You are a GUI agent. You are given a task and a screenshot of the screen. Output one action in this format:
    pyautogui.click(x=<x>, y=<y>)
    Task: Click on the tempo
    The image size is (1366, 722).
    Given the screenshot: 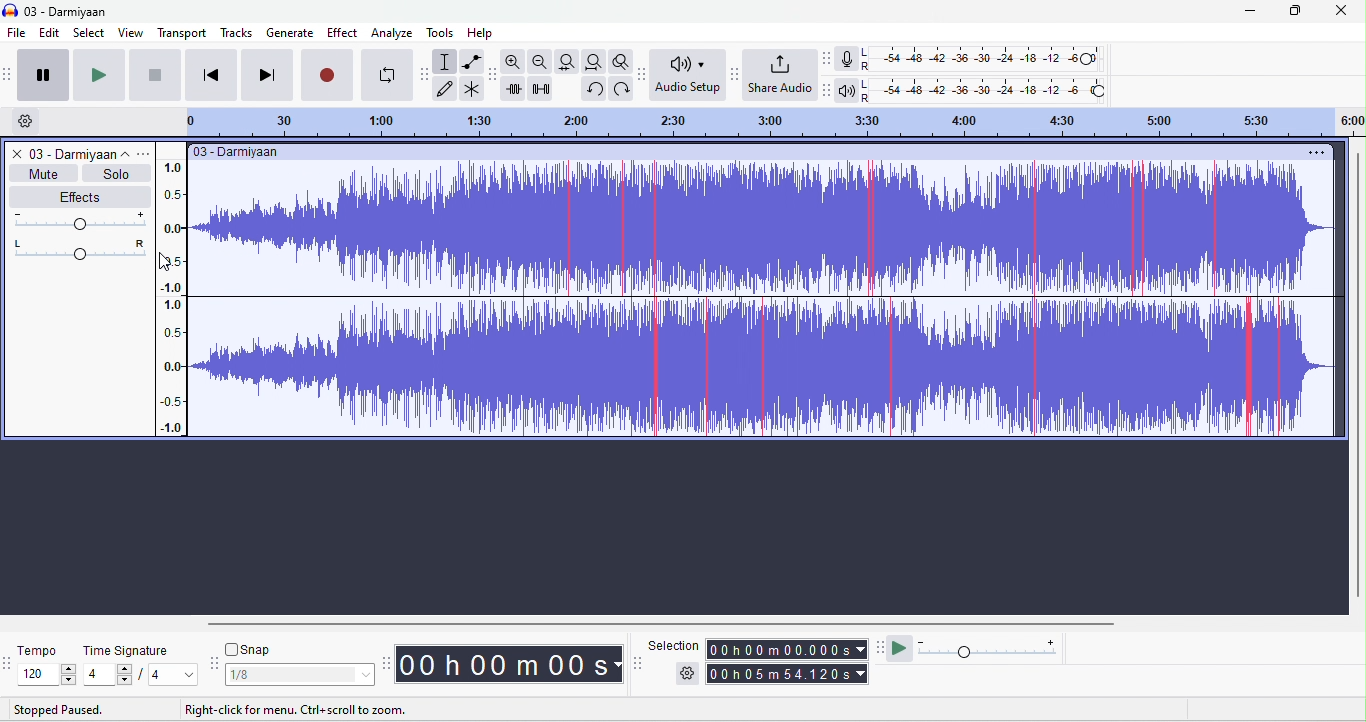 What is the action you would take?
    pyautogui.click(x=40, y=649)
    